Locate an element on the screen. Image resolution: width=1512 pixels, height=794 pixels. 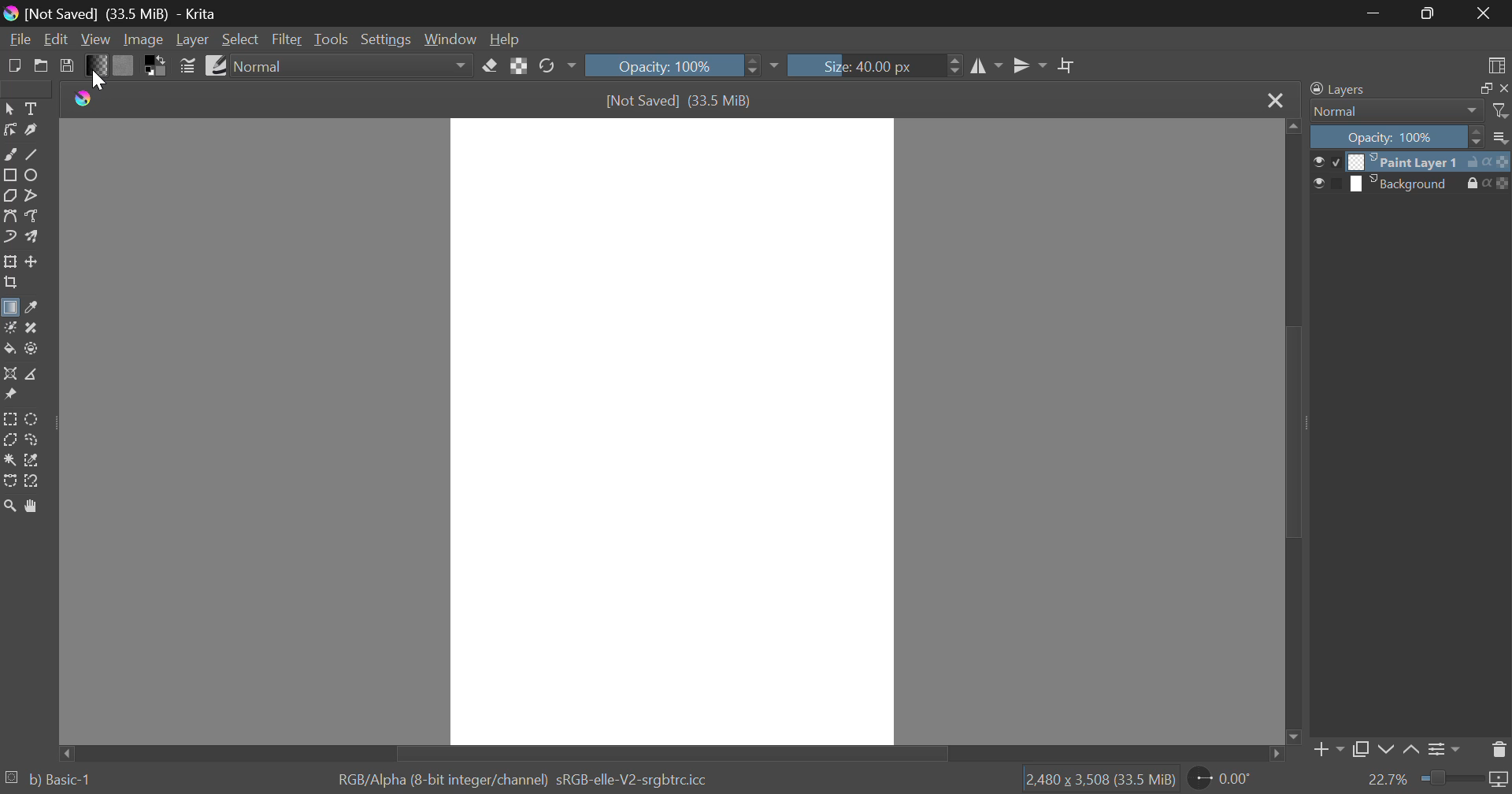
Copy Layer is located at coordinates (1361, 752).